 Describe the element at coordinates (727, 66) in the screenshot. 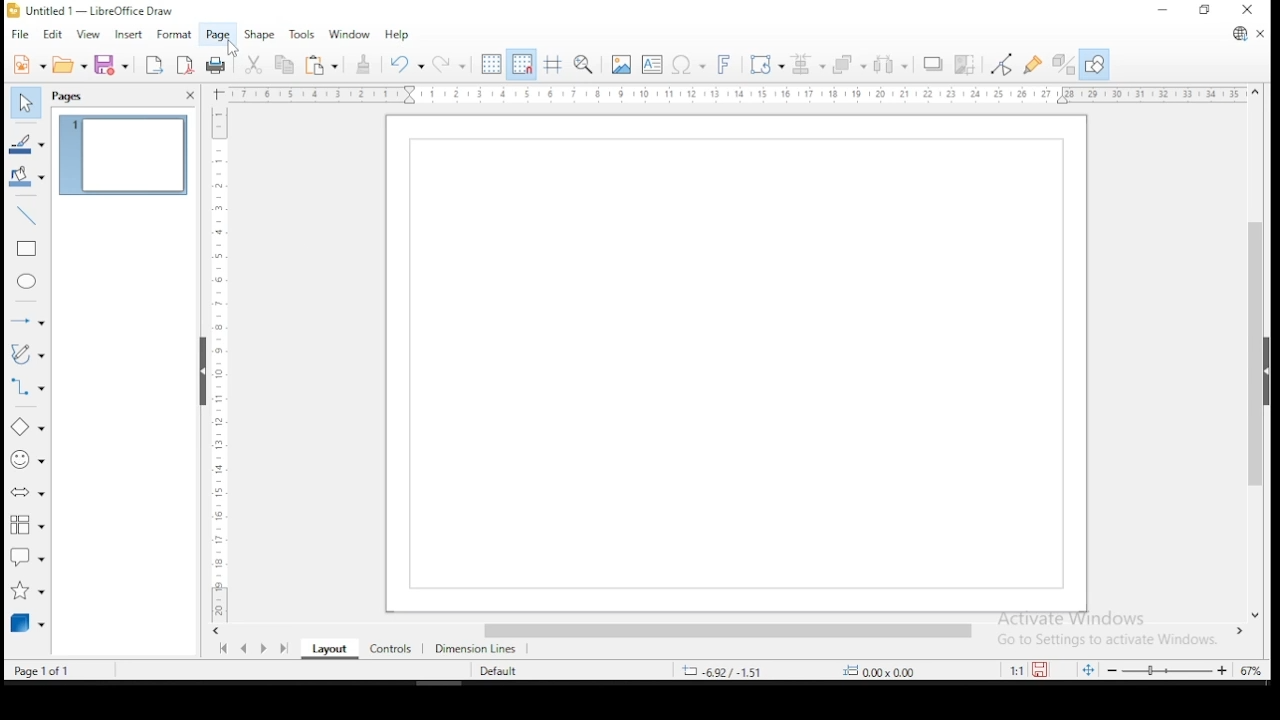

I see `insert fontwork text` at that location.